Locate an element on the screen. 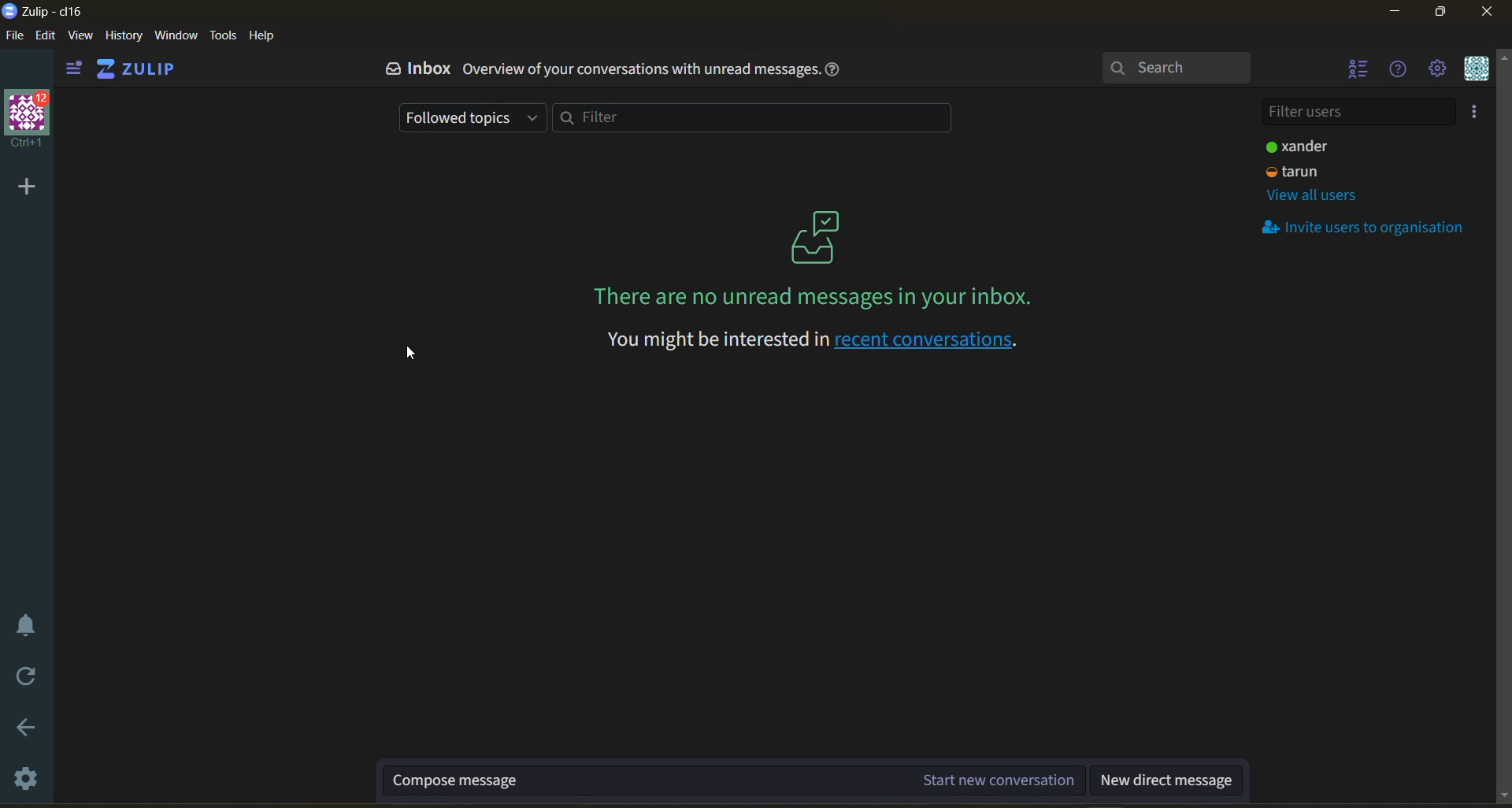 The height and width of the screenshot is (808, 1512). window is located at coordinates (176, 37).